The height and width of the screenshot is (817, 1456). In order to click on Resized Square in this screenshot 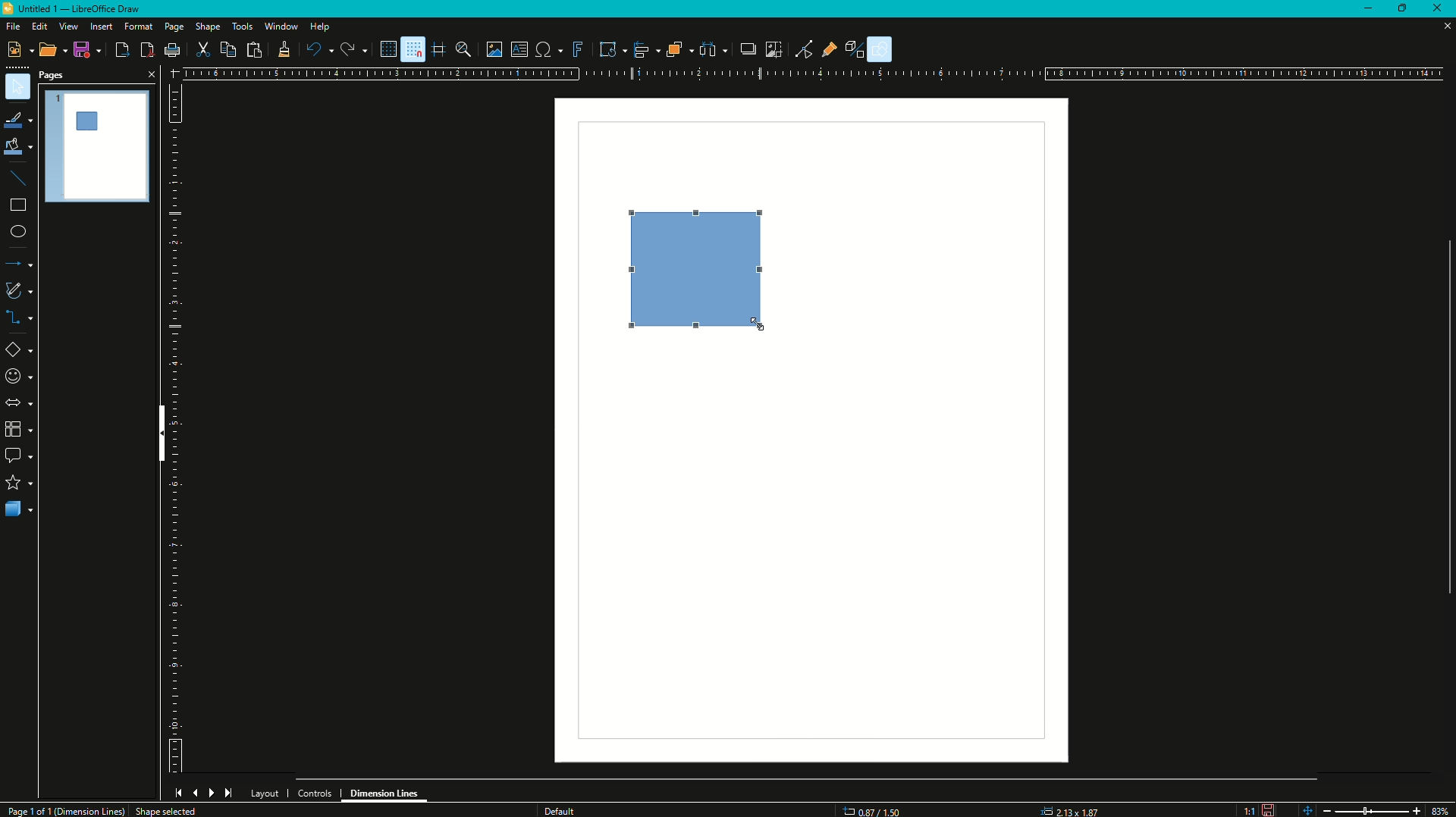, I will do `click(699, 274)`.